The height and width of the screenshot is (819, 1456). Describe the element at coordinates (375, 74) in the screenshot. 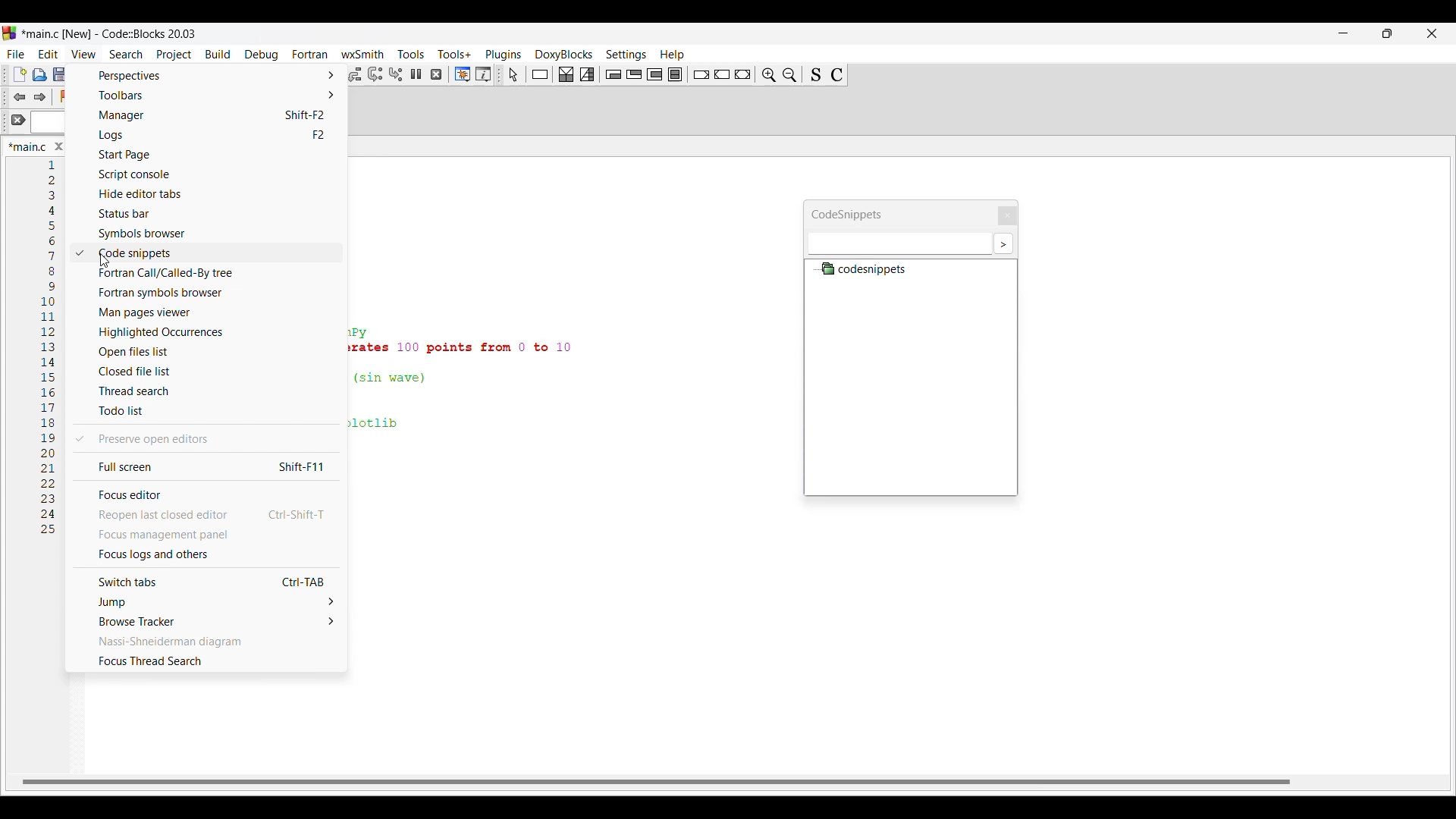

I see `Next instruction` at that location.